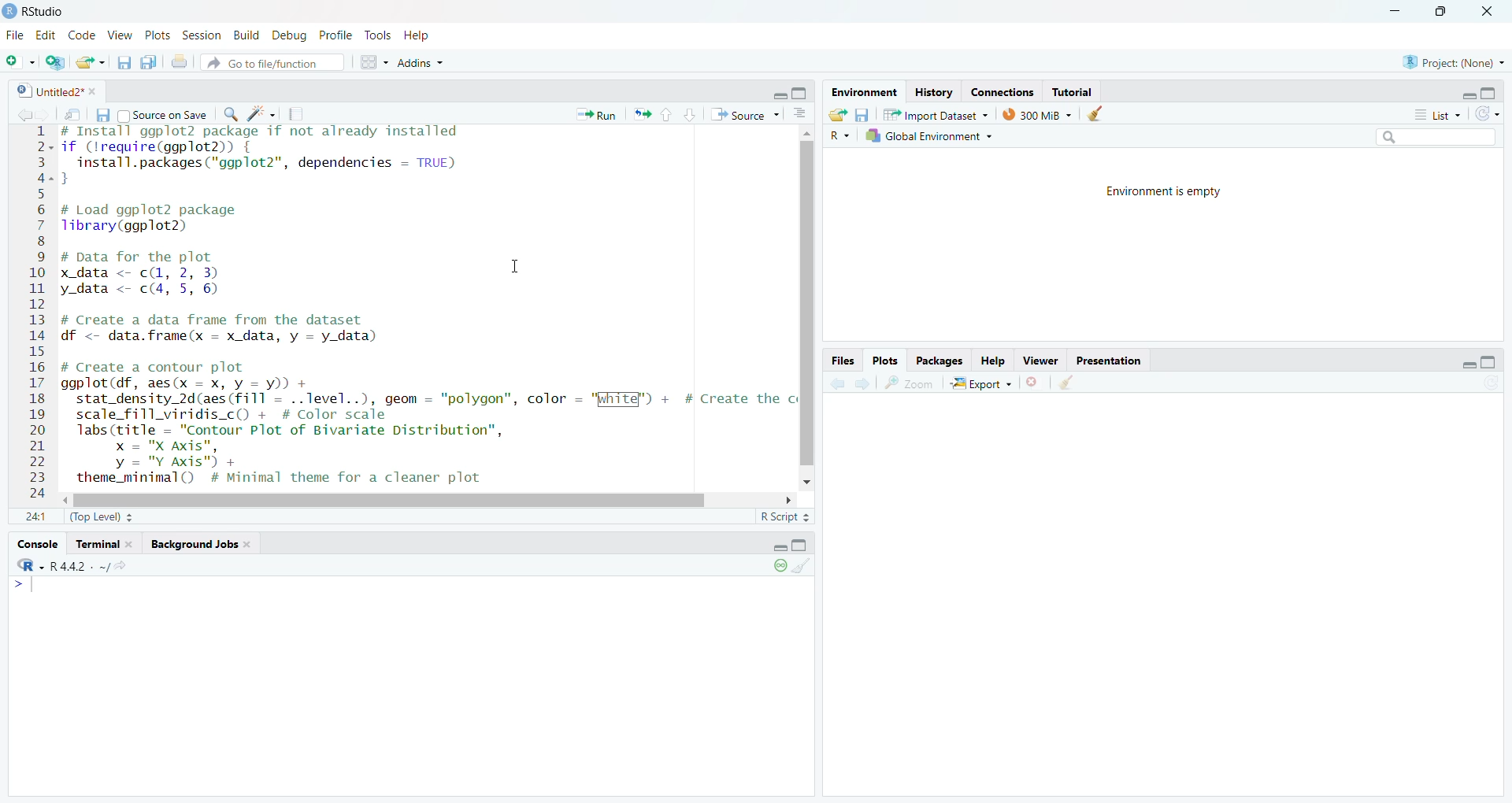  Describe the element at coordinates (806, 305) in the screenshot. I see `vertical scroll bar` at that location.